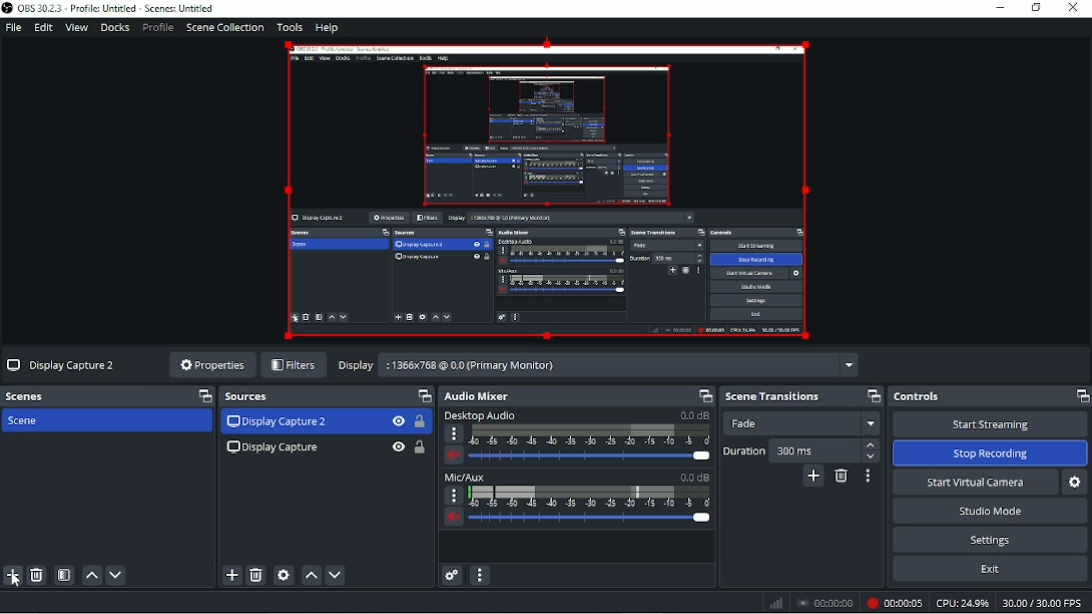 The height and width of the screenshot is (614, 1092). What do you see at coordinates (478, 397) in the screenshot?
I see `Audio Mixer` at bounding box center [478, 397].